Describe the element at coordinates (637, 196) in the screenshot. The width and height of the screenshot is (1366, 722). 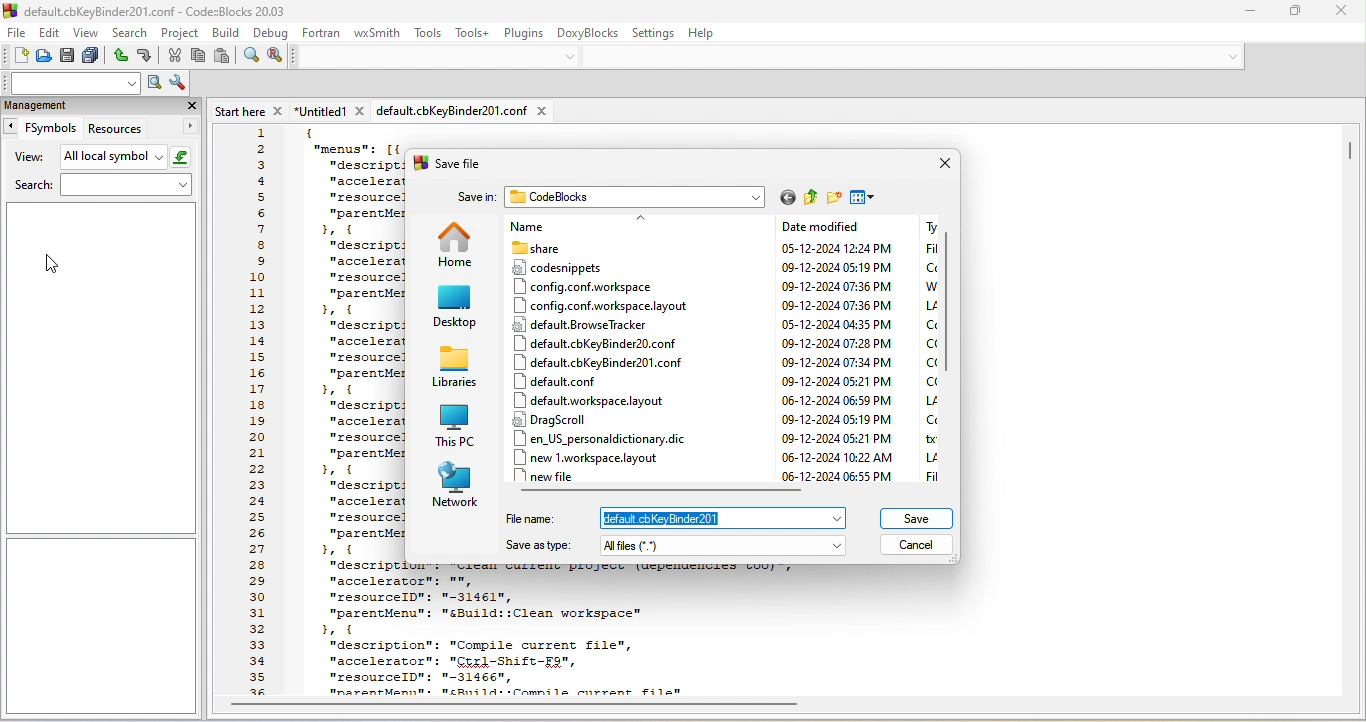
I see `codeblocks` at that location.